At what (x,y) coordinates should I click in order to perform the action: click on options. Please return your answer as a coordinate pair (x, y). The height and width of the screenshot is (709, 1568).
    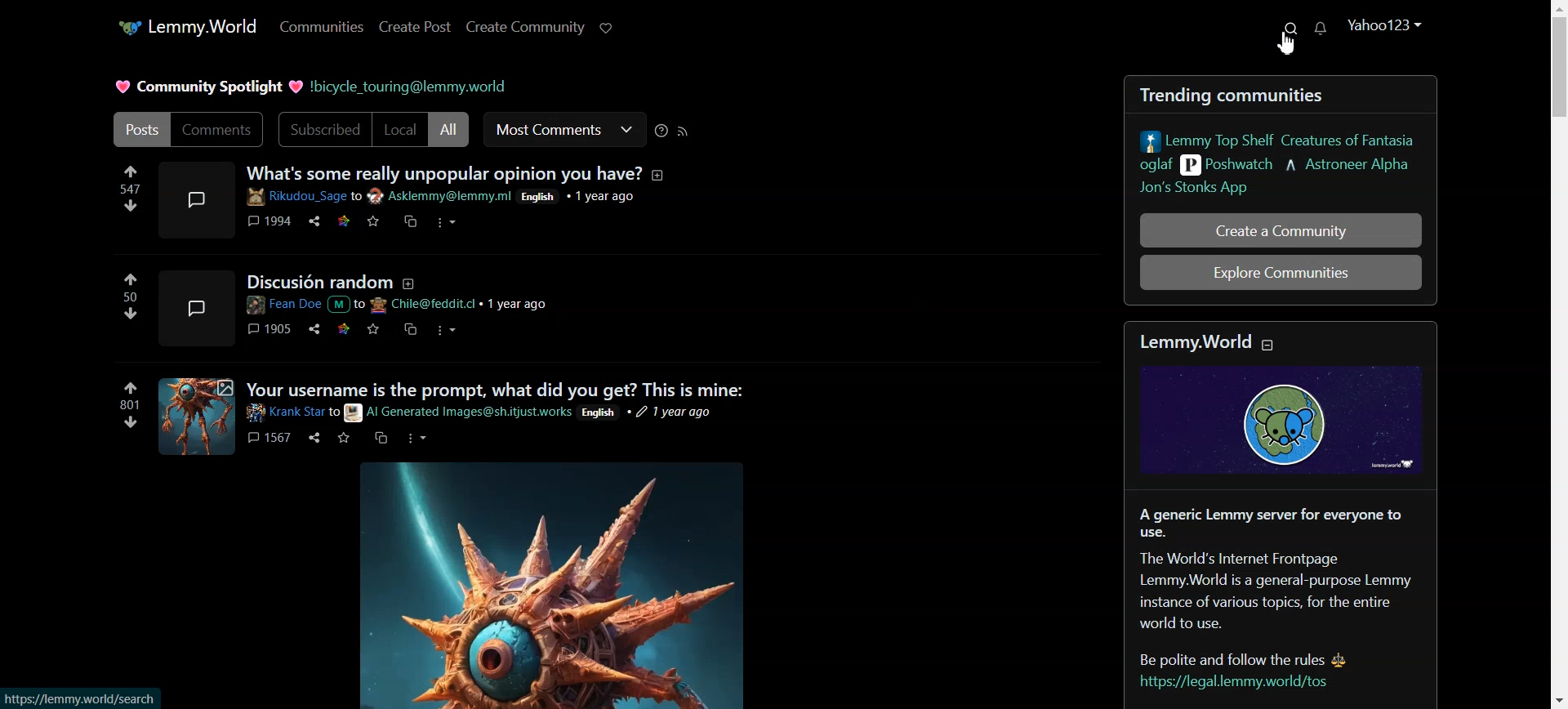
    Looking at the image, I should click on (443, 331).